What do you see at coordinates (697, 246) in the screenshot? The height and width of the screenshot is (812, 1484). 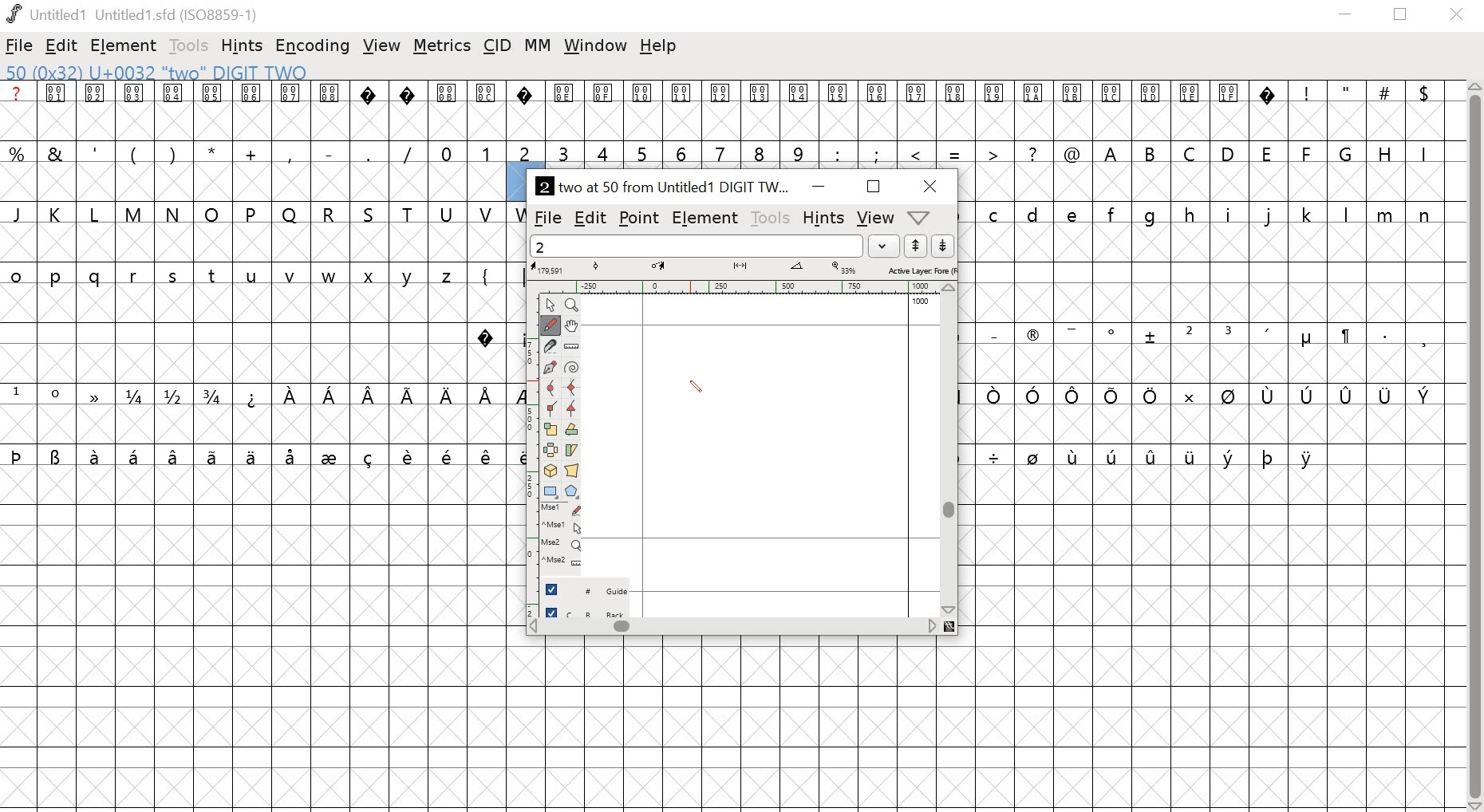 I see `word list field` at bounding box center [697, 246].